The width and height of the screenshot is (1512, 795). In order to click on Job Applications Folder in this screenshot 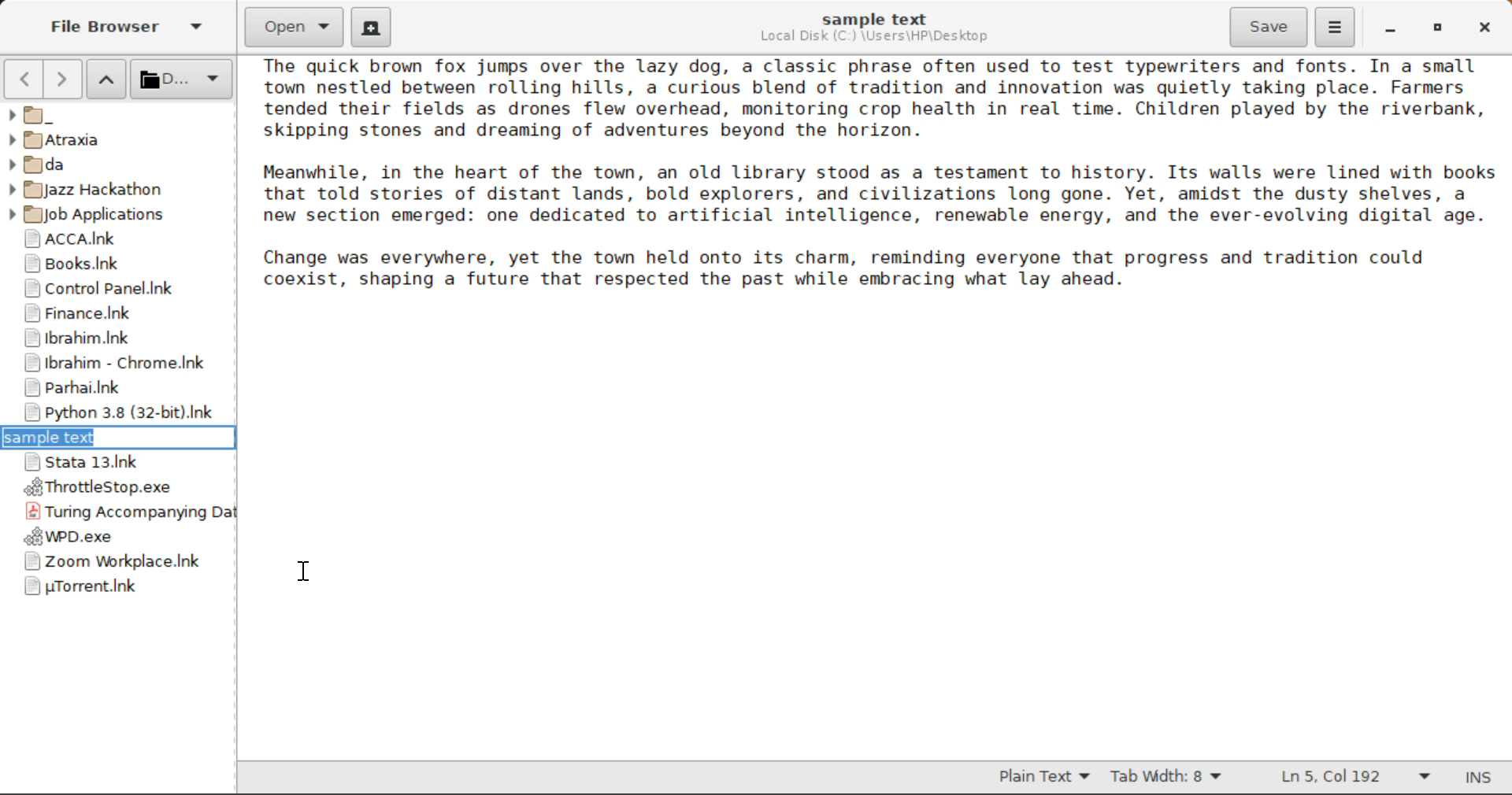, I will do `click(107, 217)`.